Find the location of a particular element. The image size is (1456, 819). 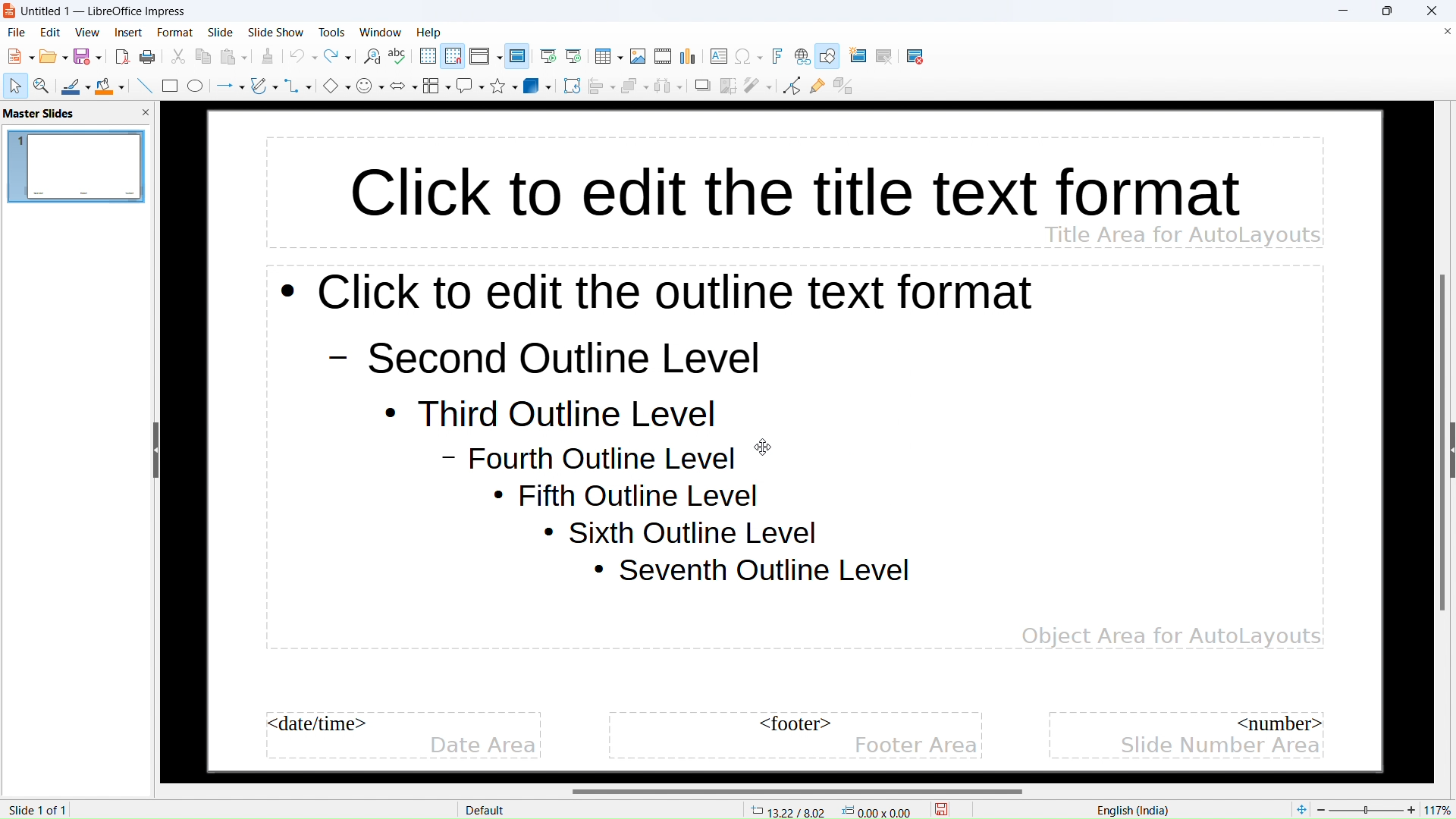

basic shapes is located at coordinates (337, 85).